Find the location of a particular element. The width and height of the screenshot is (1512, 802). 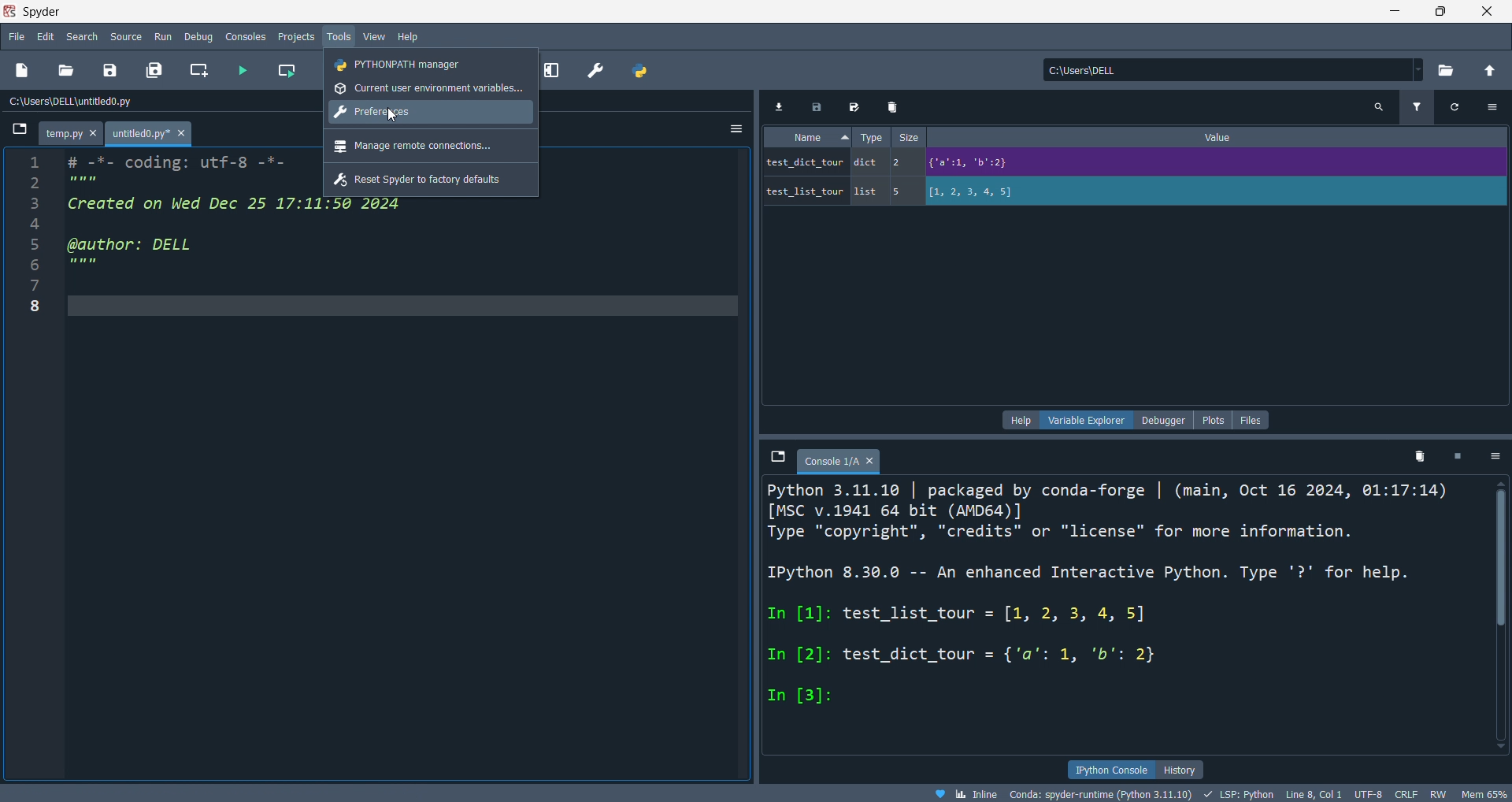

minimize is located at coordinates (1396, 14).